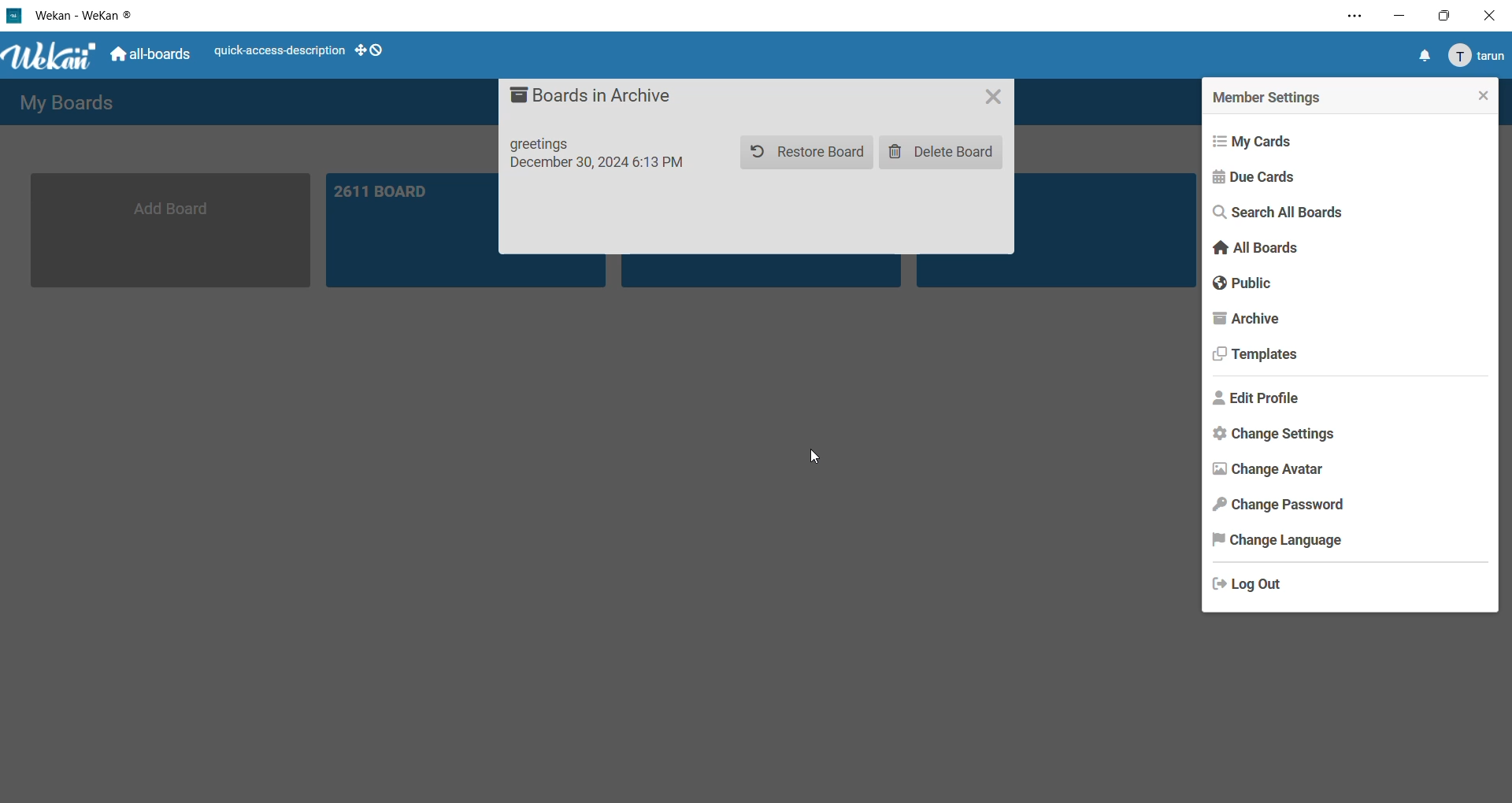  Describe the element at coordinates (1476, 55) in the screenshot. I see `menu` at that location.